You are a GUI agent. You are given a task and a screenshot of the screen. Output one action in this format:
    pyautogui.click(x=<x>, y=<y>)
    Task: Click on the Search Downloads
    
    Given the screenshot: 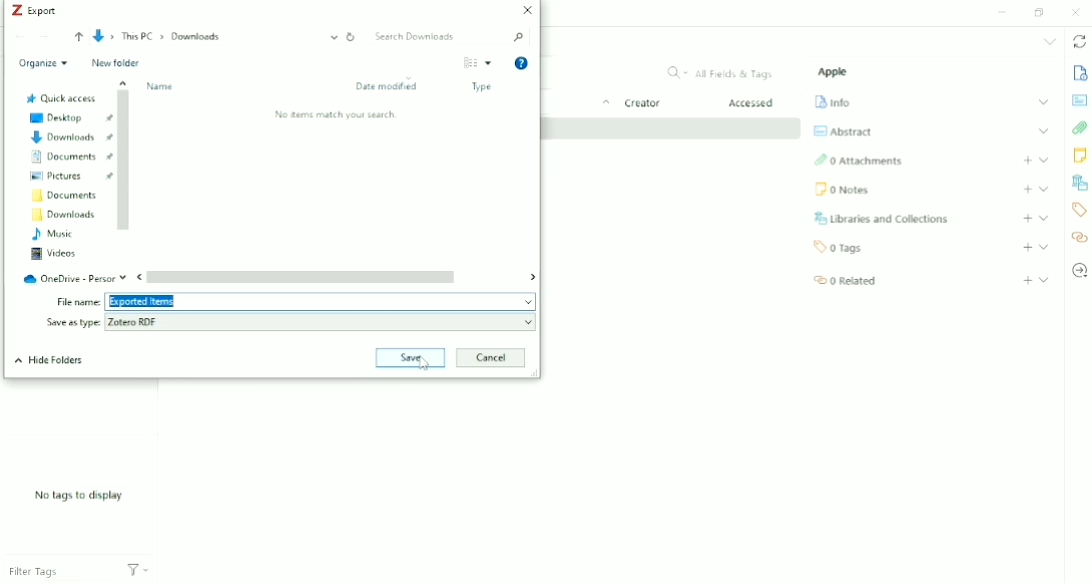 What is the action you would take?
    pyautogui.click(x=450, y=37)
    